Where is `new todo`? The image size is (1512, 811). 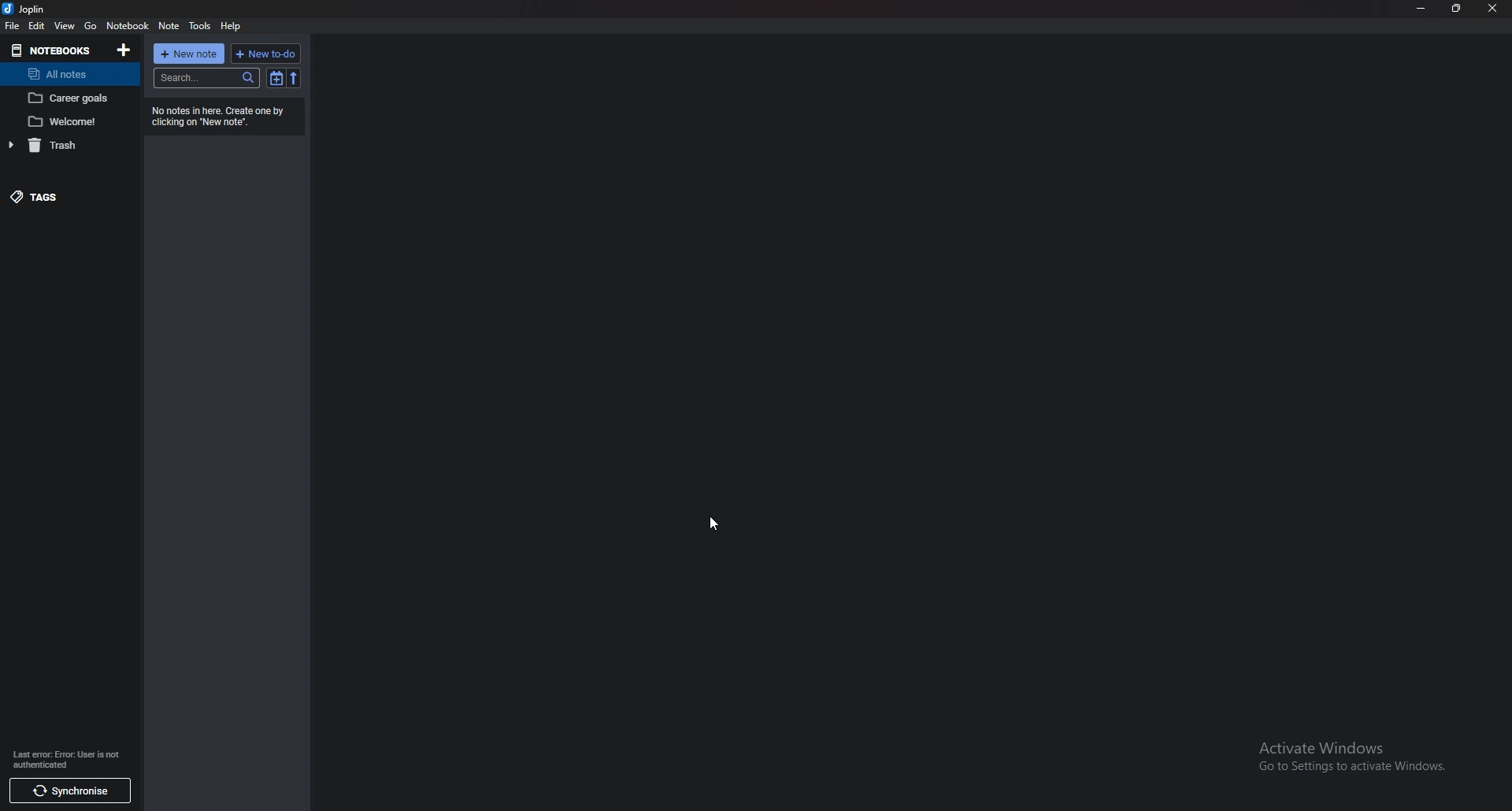 new todo is located at coordinates (265, 54).